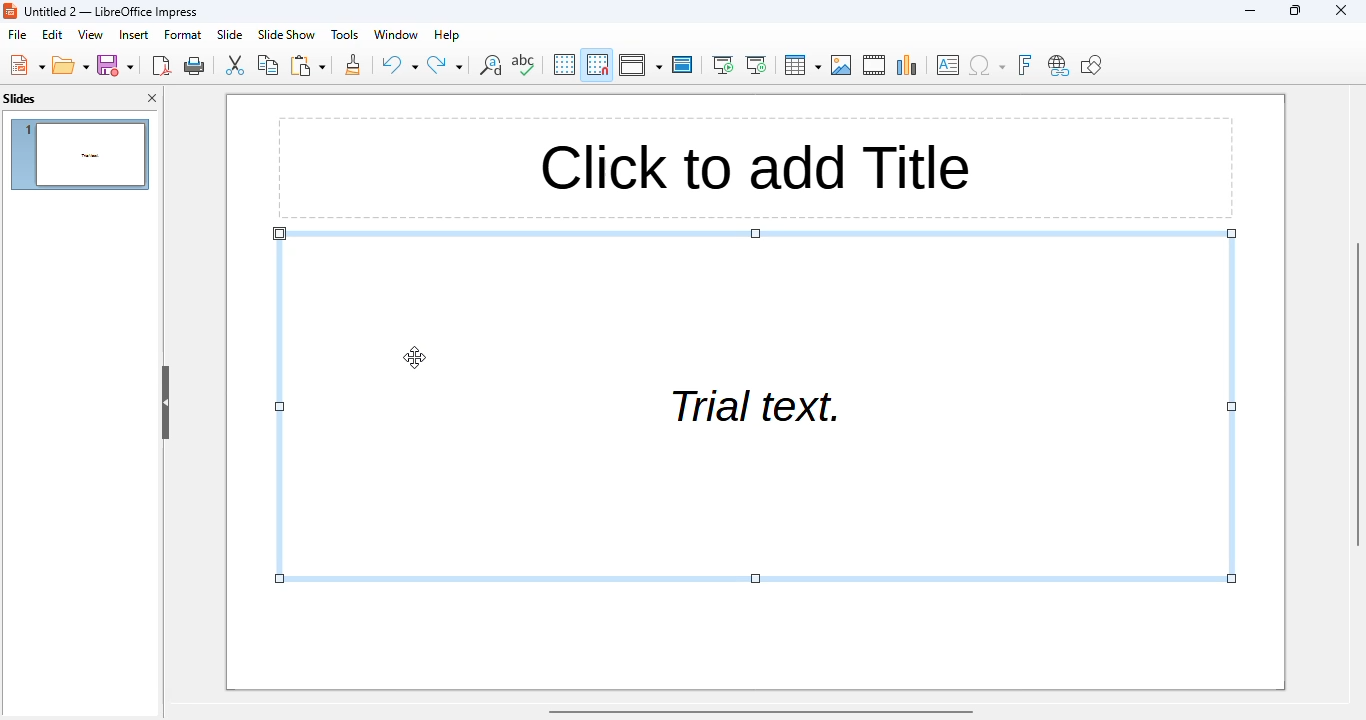  What do you see at coordinates (353, 64) in the screenshot?
I see `clone formatting` at bounding box center [353, 64].